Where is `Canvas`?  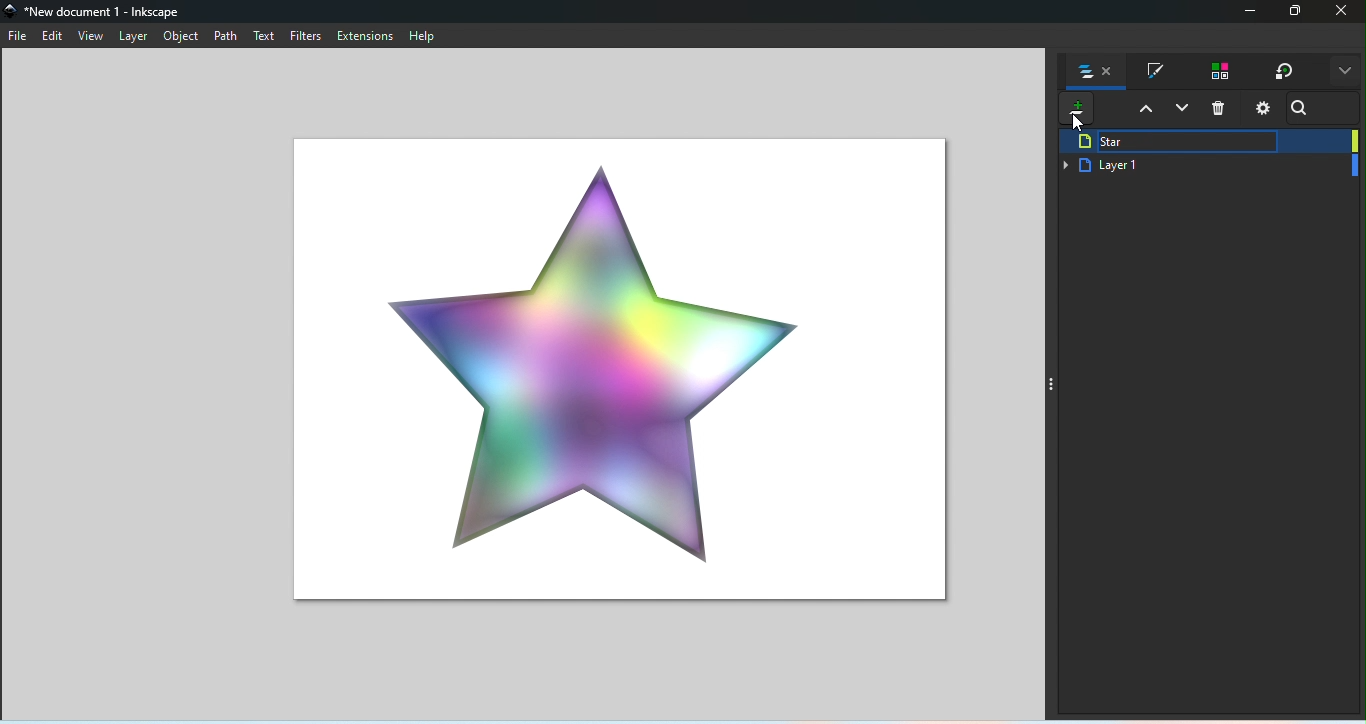 Canvas is located at coordinates (612, 365).